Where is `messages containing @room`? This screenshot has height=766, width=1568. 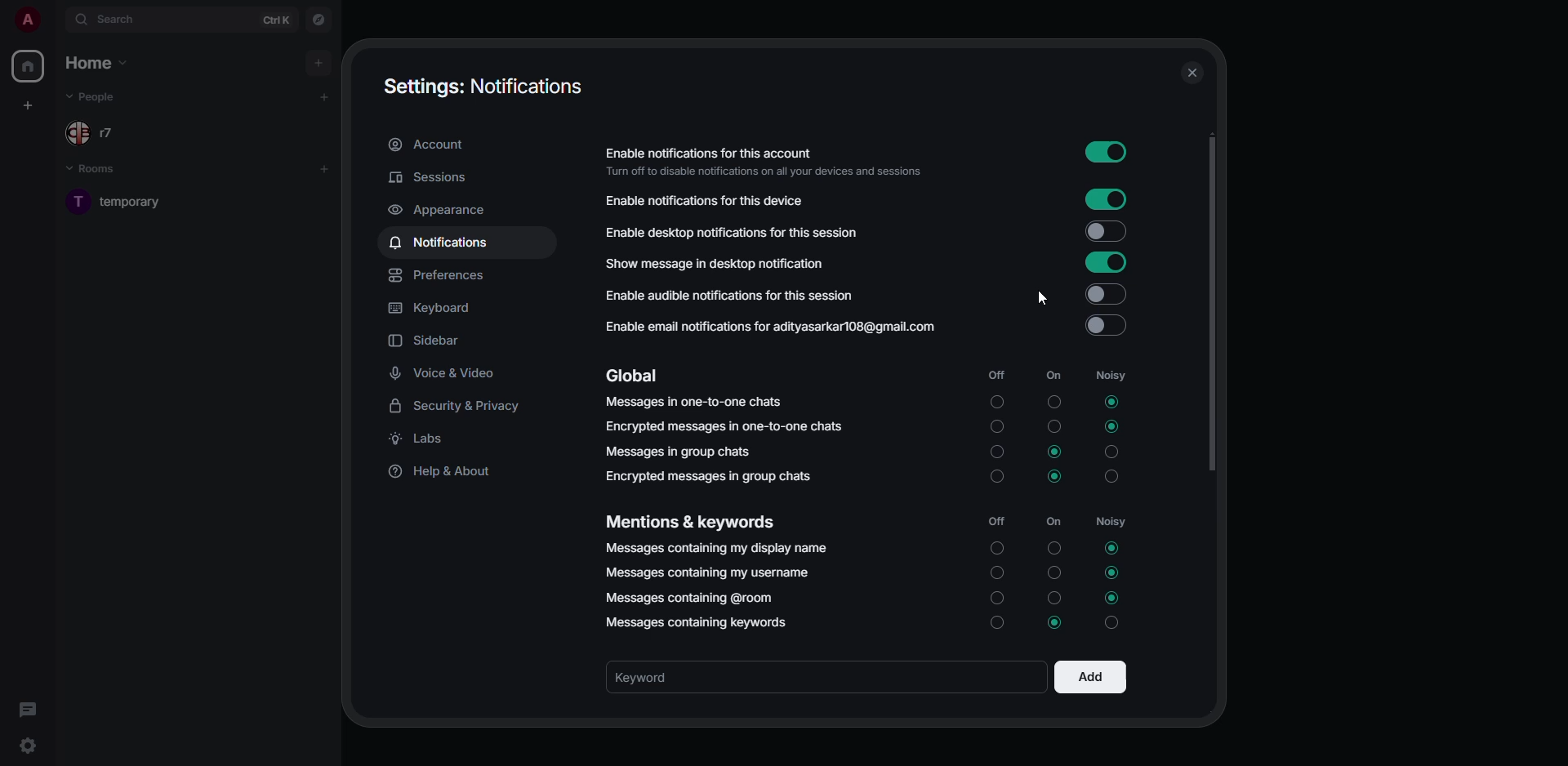 messages containing @room is located at coordinates (687, 597).